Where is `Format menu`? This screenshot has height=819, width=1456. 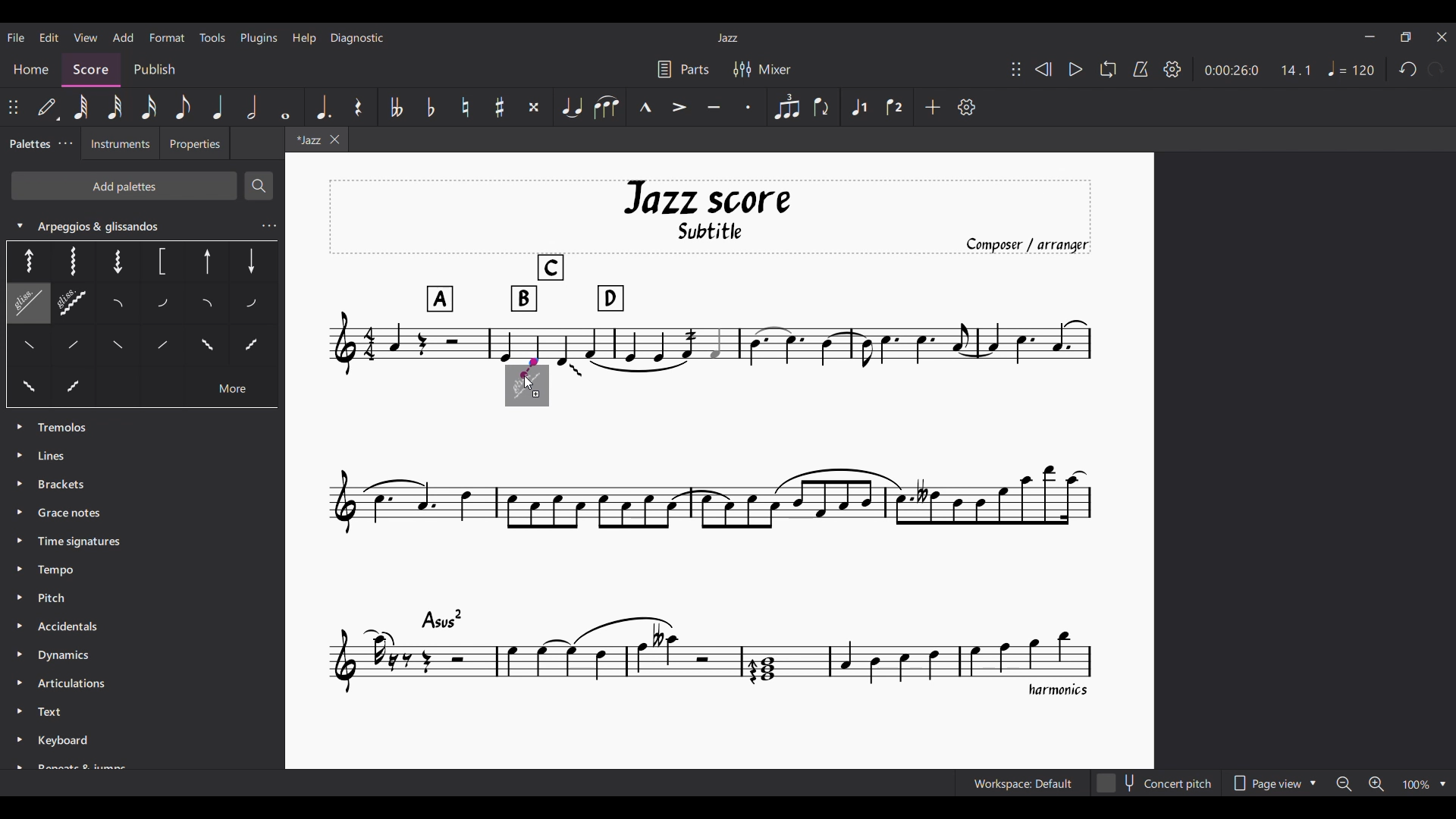
Format menu is located at coordinates (167, 37).